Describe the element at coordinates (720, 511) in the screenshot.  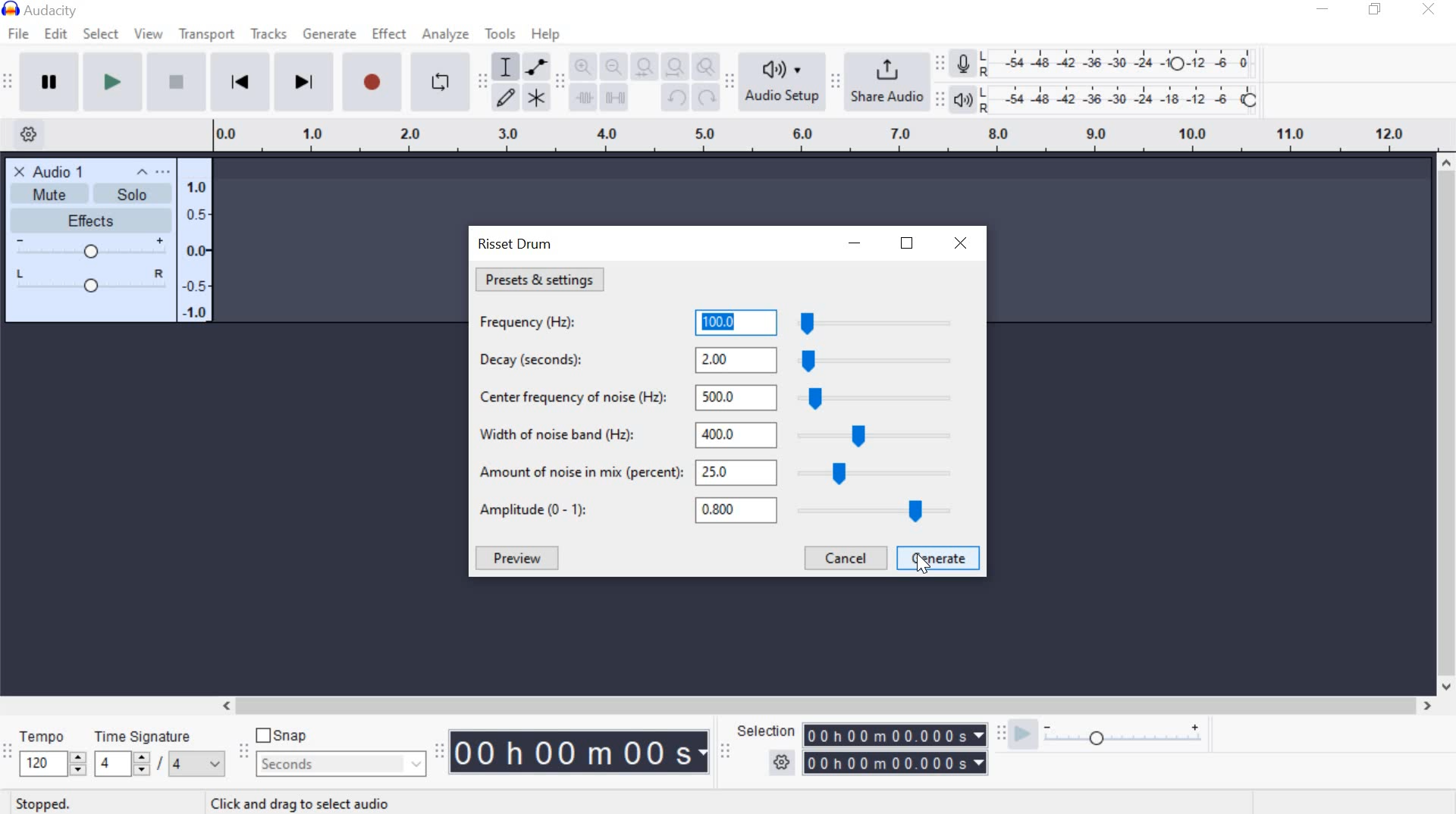
I see `Amplitude` at that location.